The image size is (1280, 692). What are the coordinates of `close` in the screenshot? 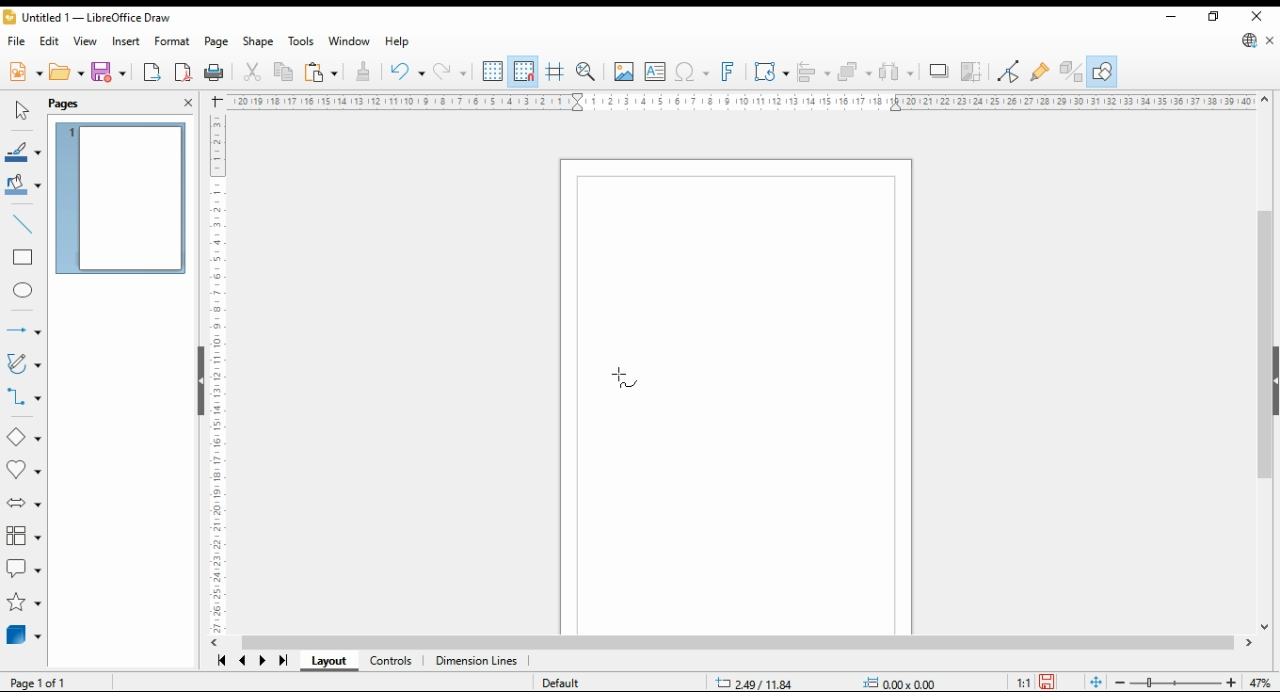 It's located at (1257, 16).